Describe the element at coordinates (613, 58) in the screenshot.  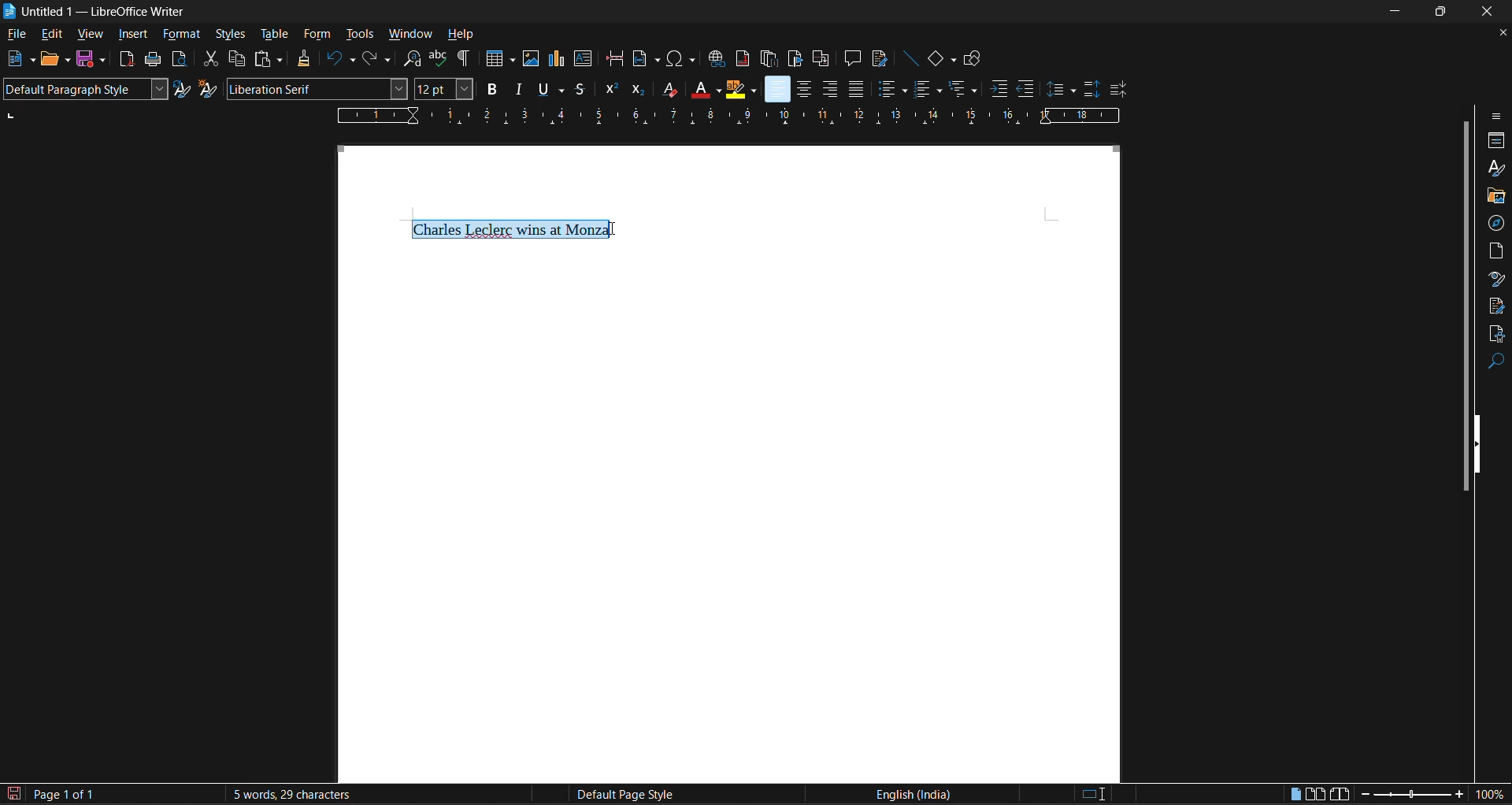
I see `insert page break` at that location.